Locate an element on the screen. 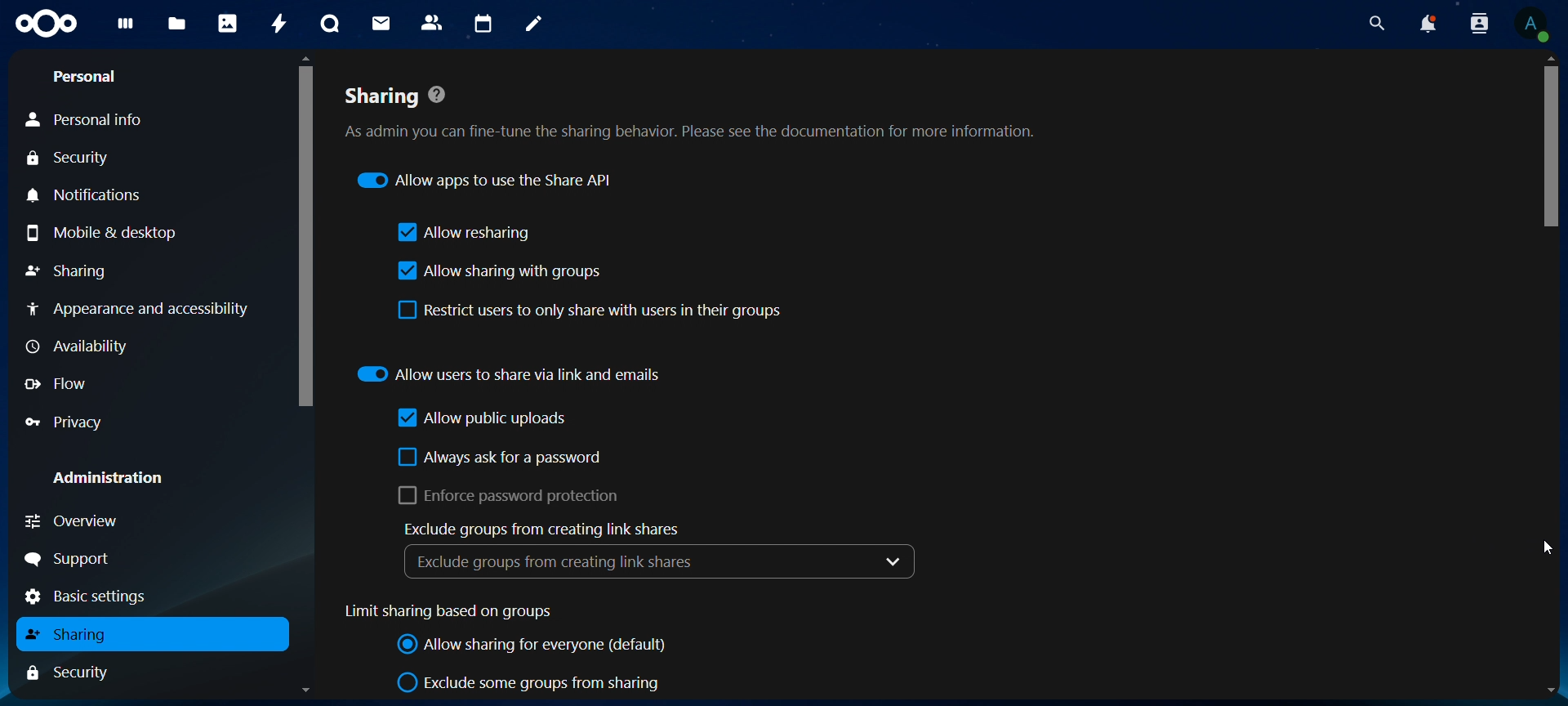  overview is located at coordinates (73, 518).